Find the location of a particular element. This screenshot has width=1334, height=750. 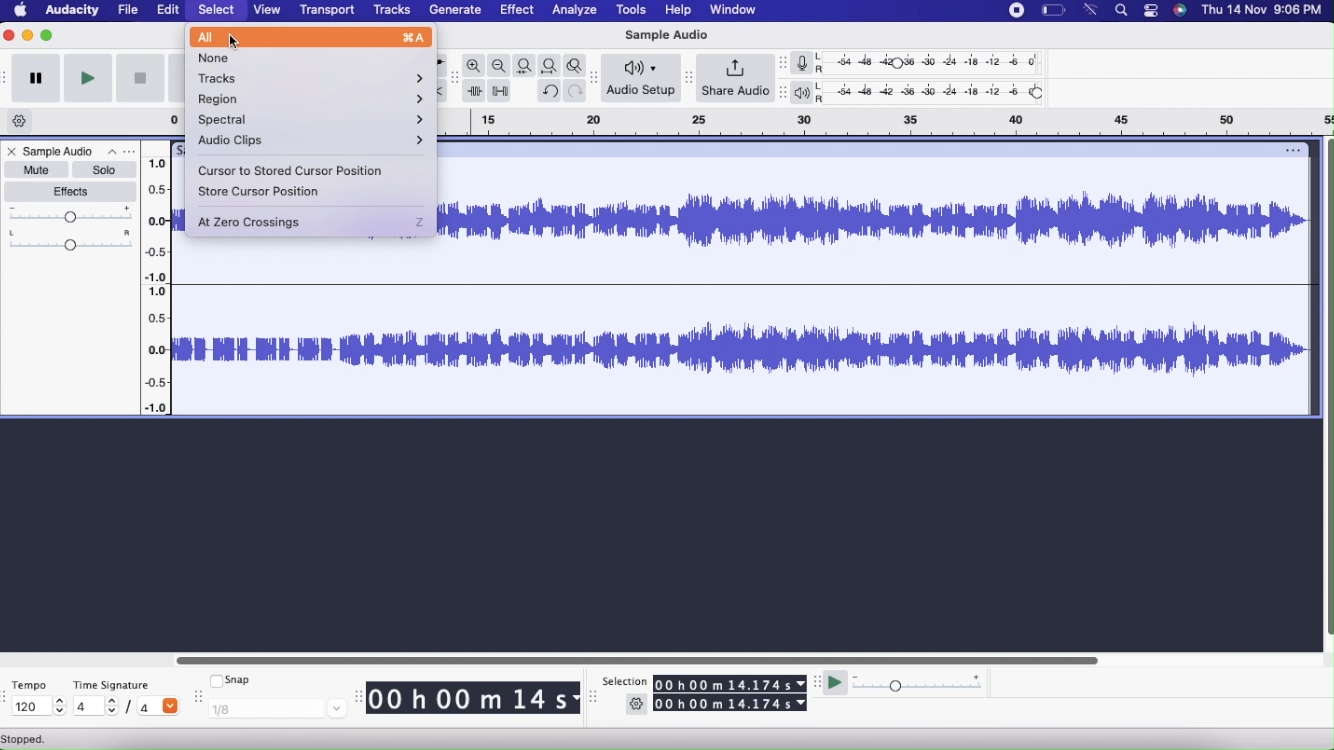

Playback Speed is located at coordinates (924, 684).